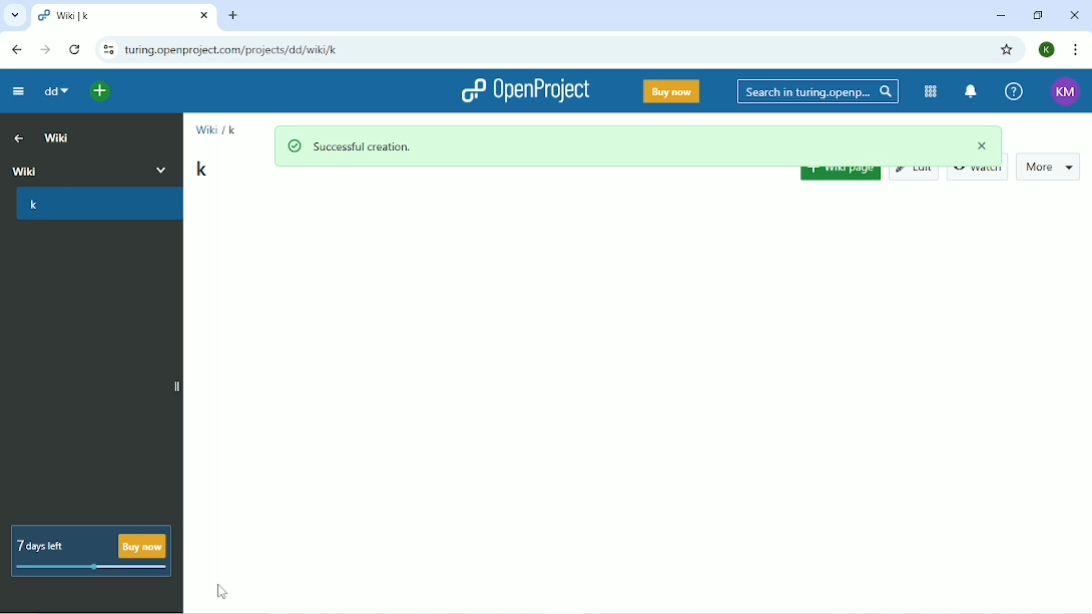 This screenshot has width=1092, height=614. I want to click on Account, so click(1067, 90).